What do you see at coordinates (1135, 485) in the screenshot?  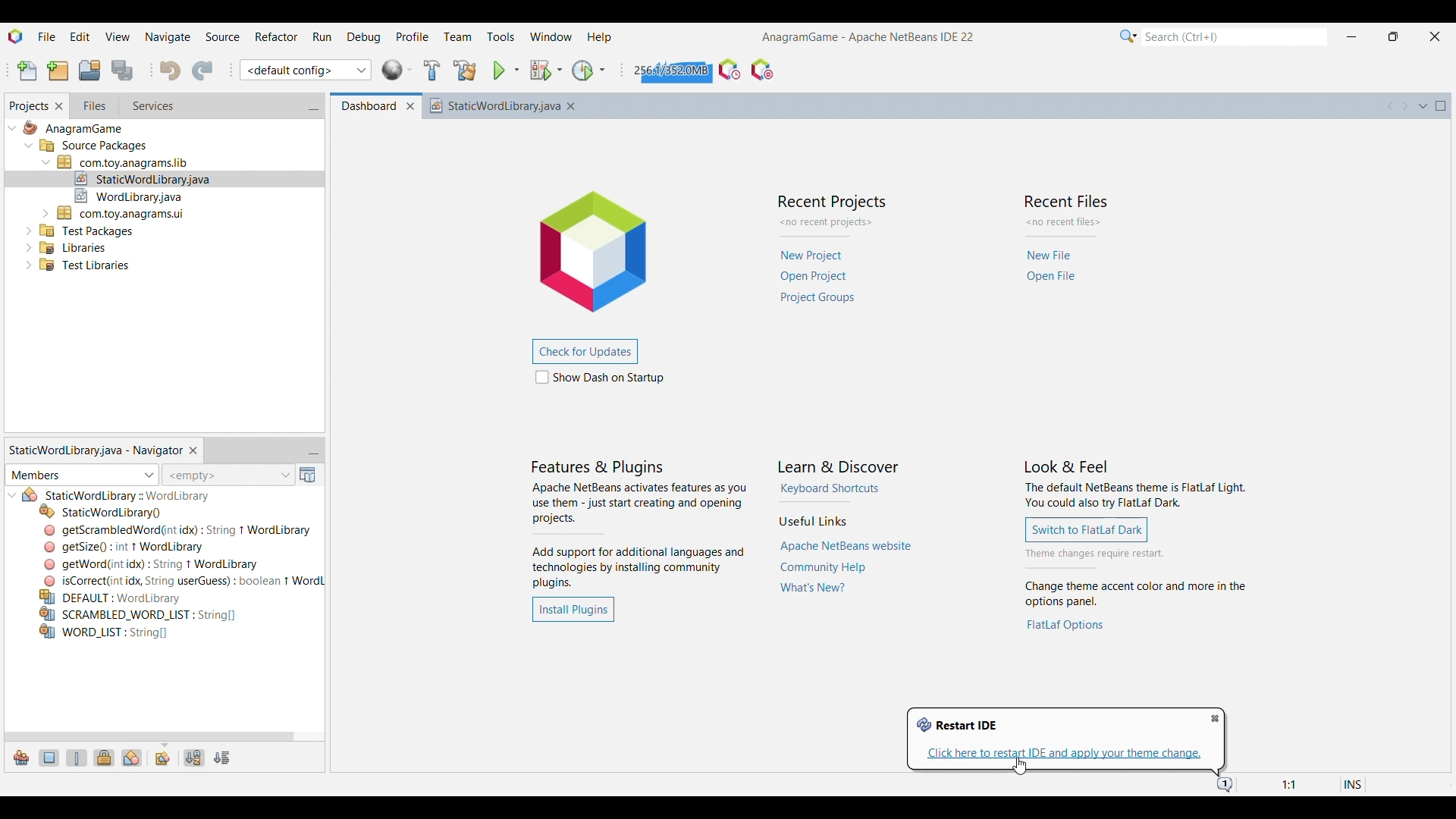 I see `Title and description of look and feel` at bounding box center [1135, 485].